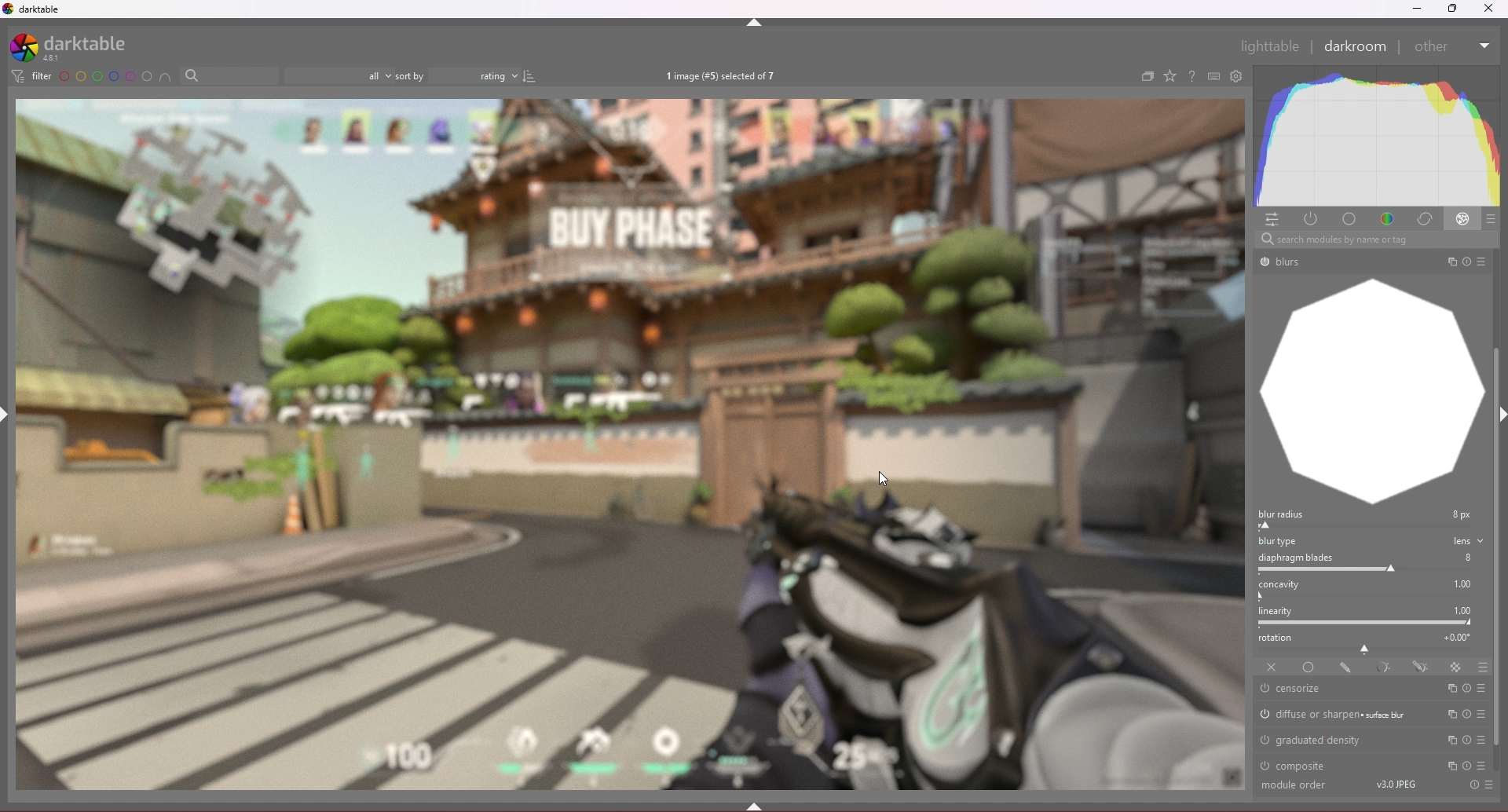 Image resolution: width=1508 pixels, height=812 pixels. Describe the element at coordinates (1395, 785) in the screenshot. I see `` at that location.